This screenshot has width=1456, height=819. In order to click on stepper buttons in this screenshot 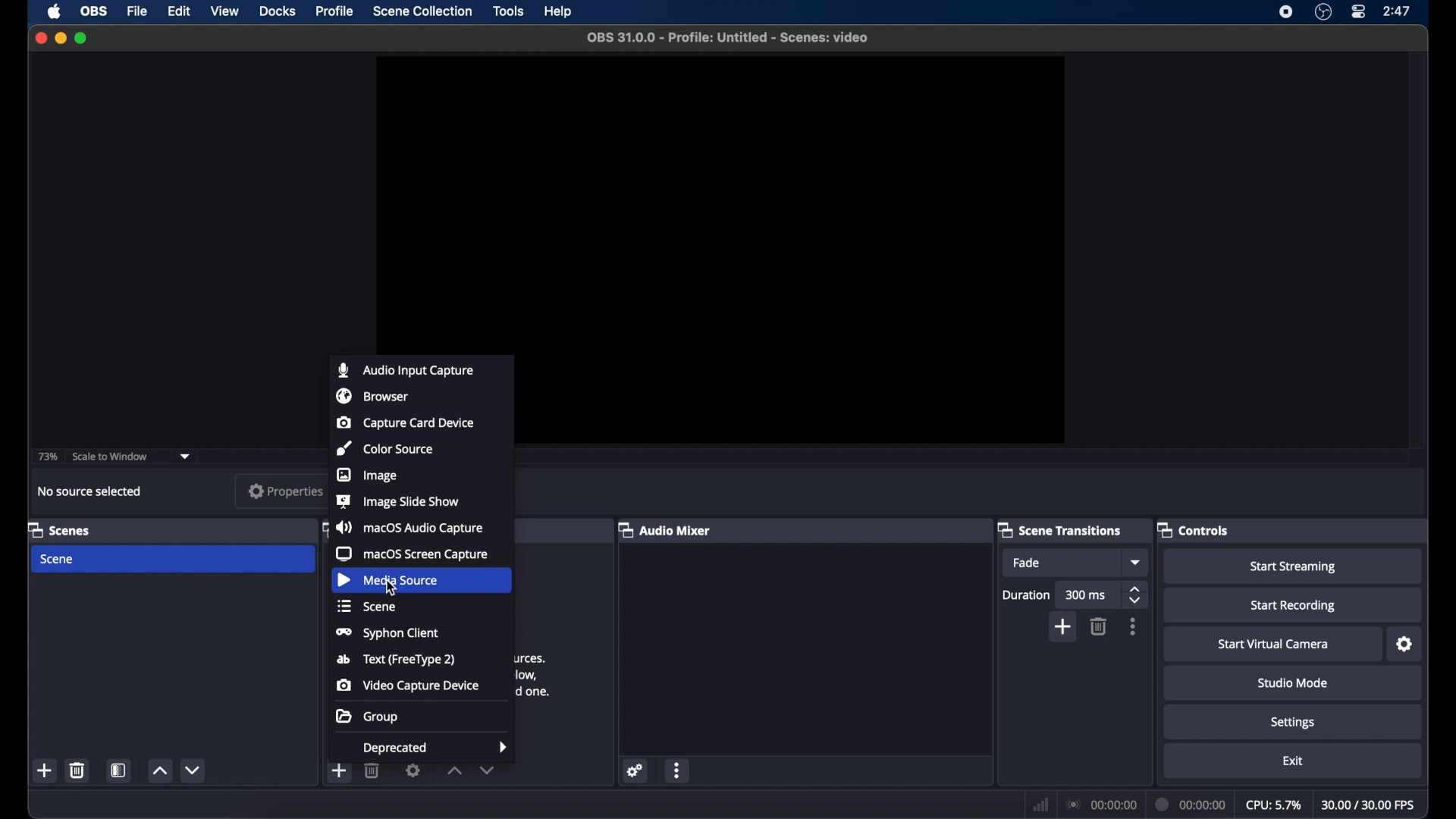, I will do `click(1137, 595)`.